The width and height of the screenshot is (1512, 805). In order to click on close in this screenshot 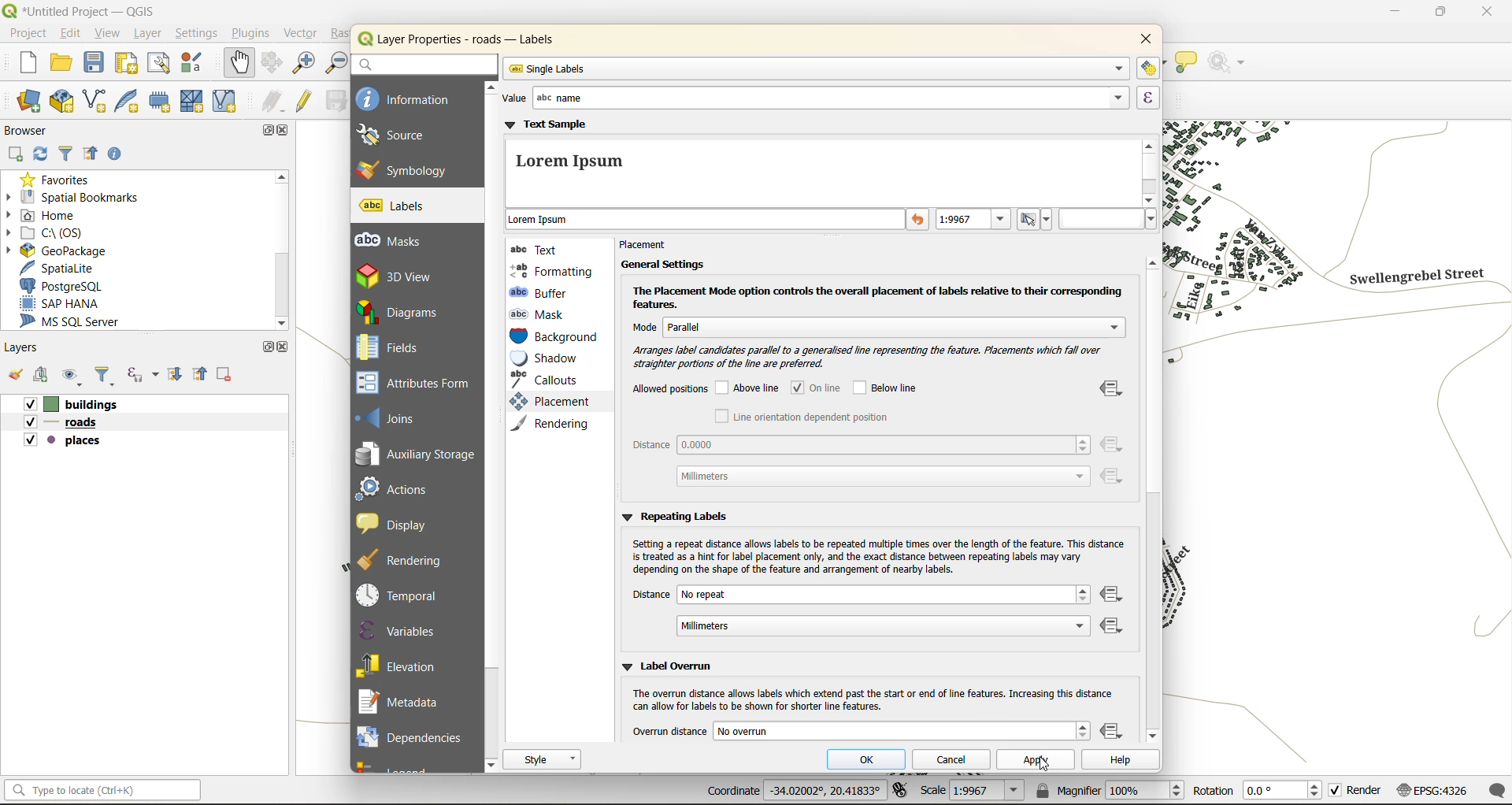, I will do `click(287, 349)`.